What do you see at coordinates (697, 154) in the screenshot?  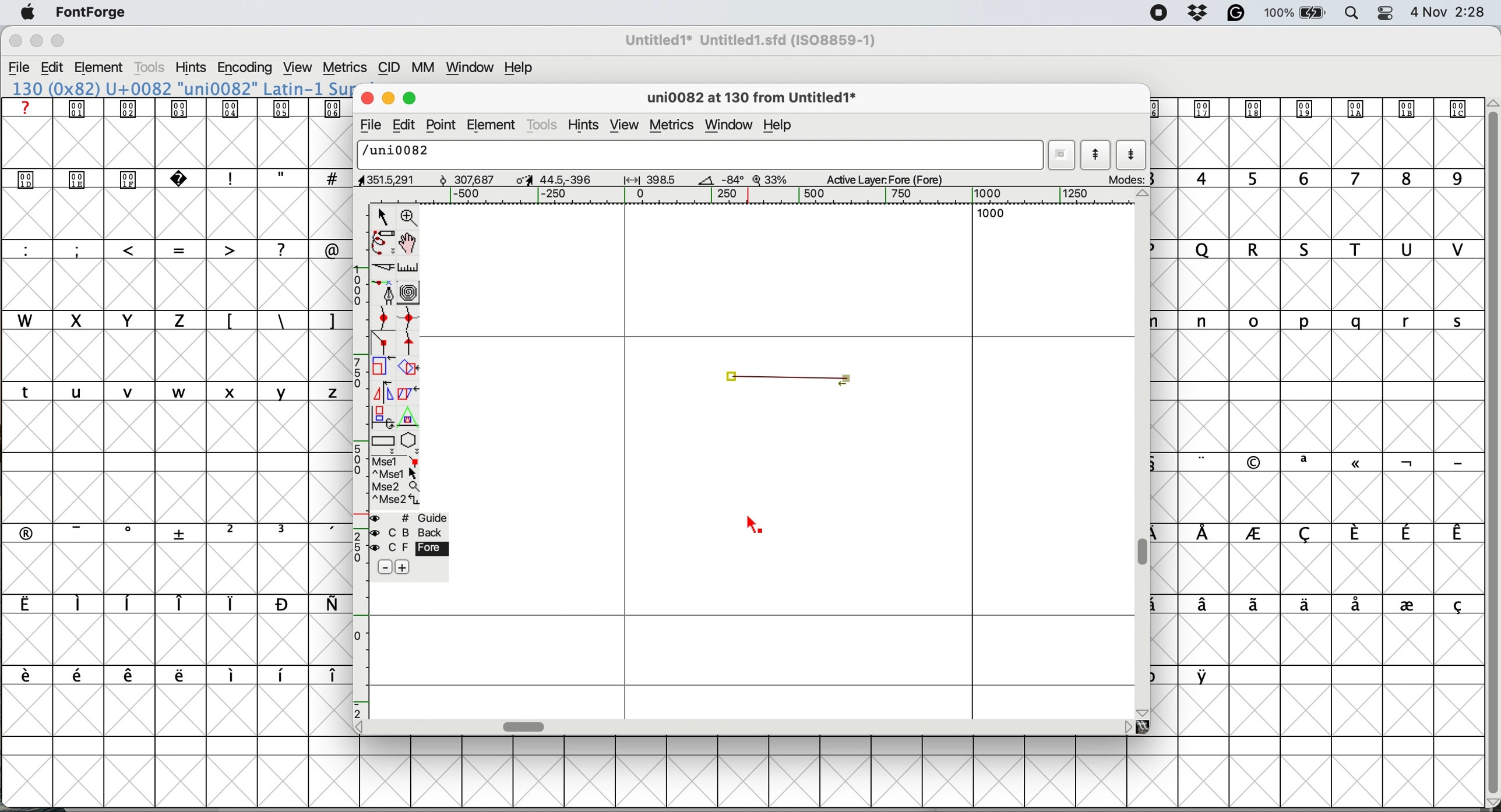 I see `glyph name` at bounding box center [697, 154].